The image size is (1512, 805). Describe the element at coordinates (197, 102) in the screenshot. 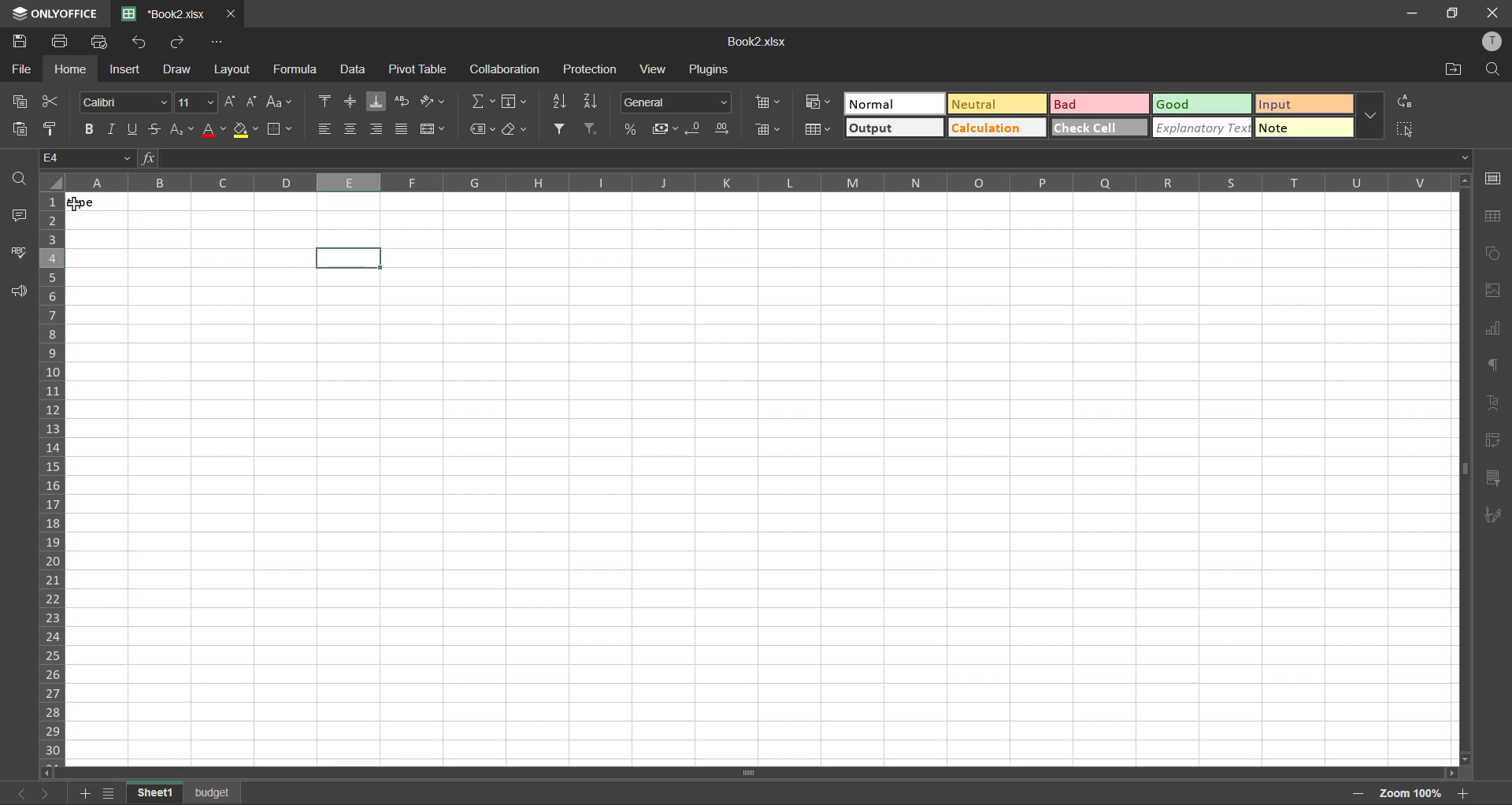

I see `font size` at that location.